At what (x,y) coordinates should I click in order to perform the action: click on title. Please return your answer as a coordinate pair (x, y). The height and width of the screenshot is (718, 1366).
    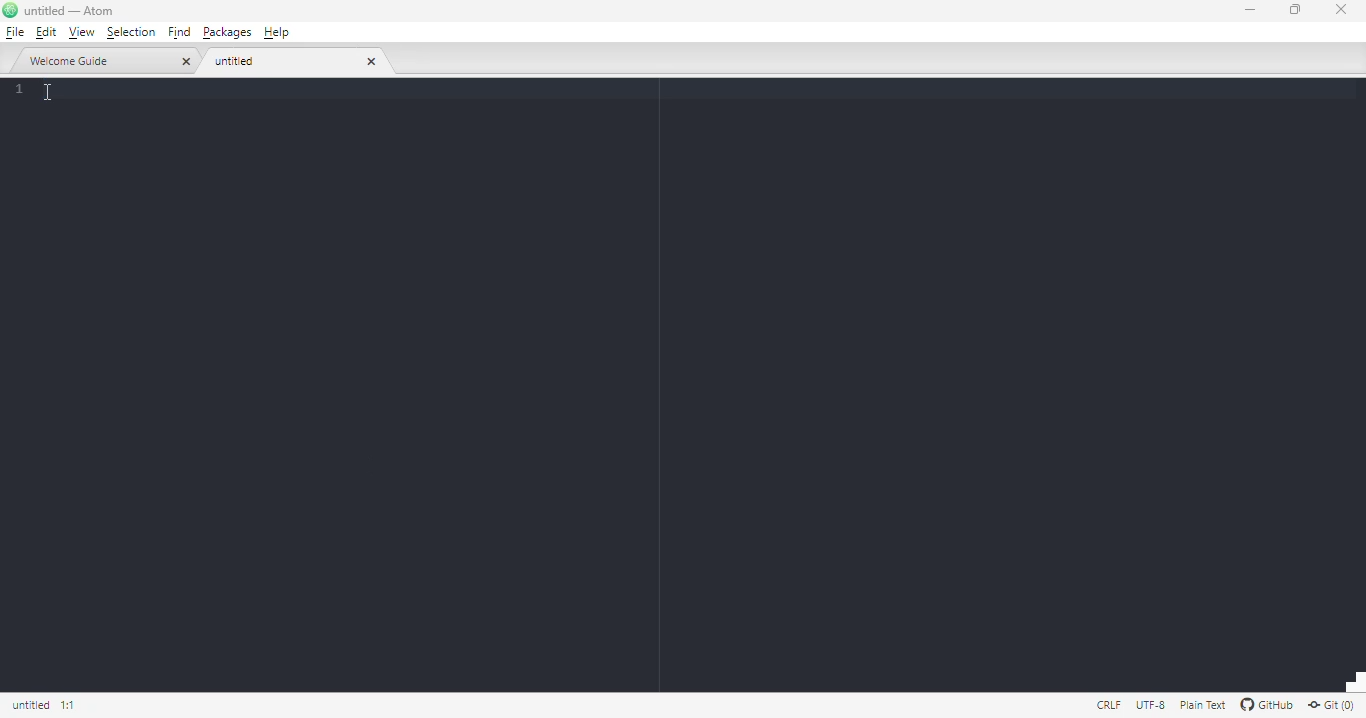
    Looking at the image, I should click on (70, 11).